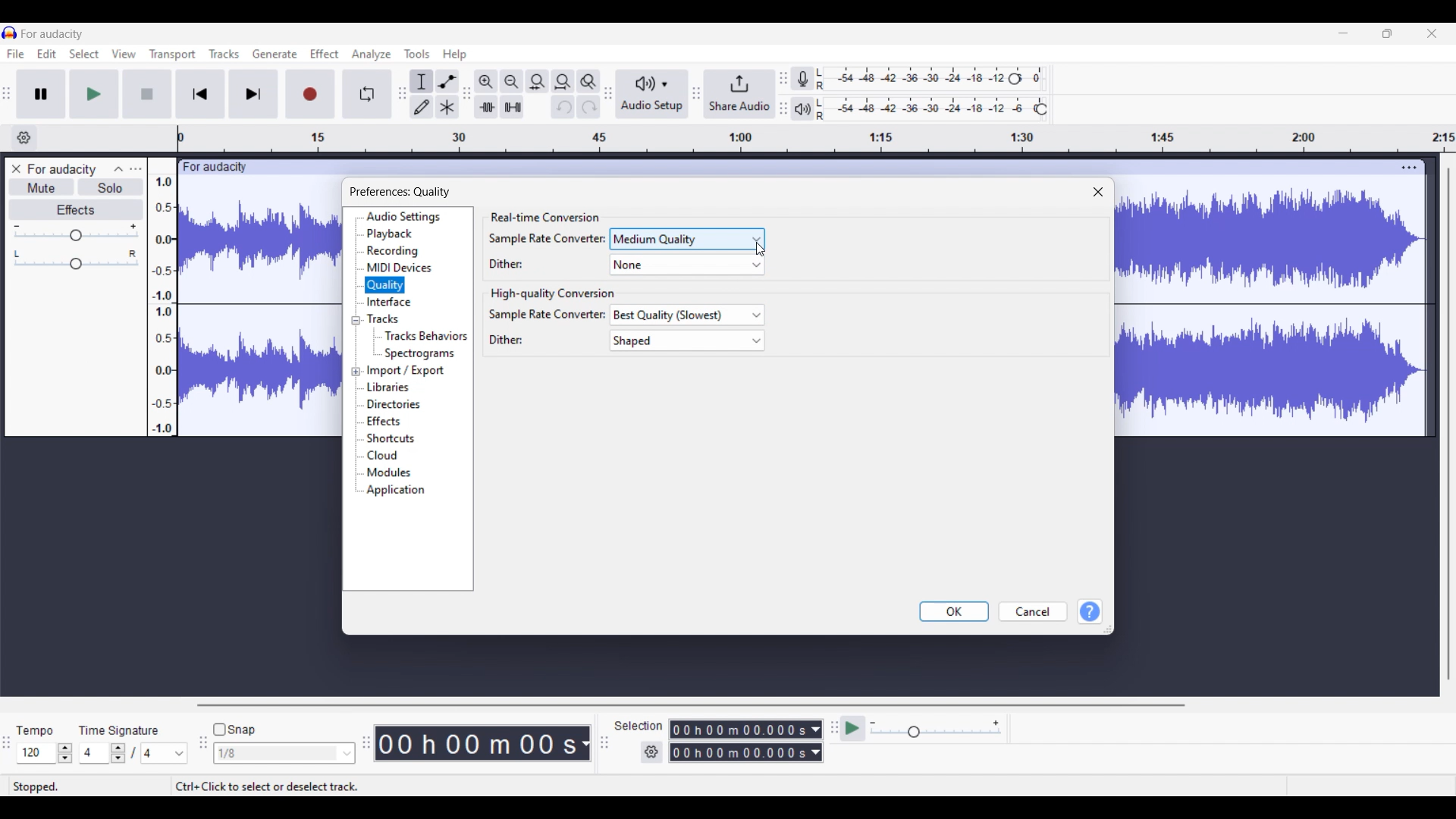 This screenshot has height=819, width=1456. What do you see at coordinates (76, 235) in the screenshot?
I see `Header to change volume` at bounding box center [76, 235].